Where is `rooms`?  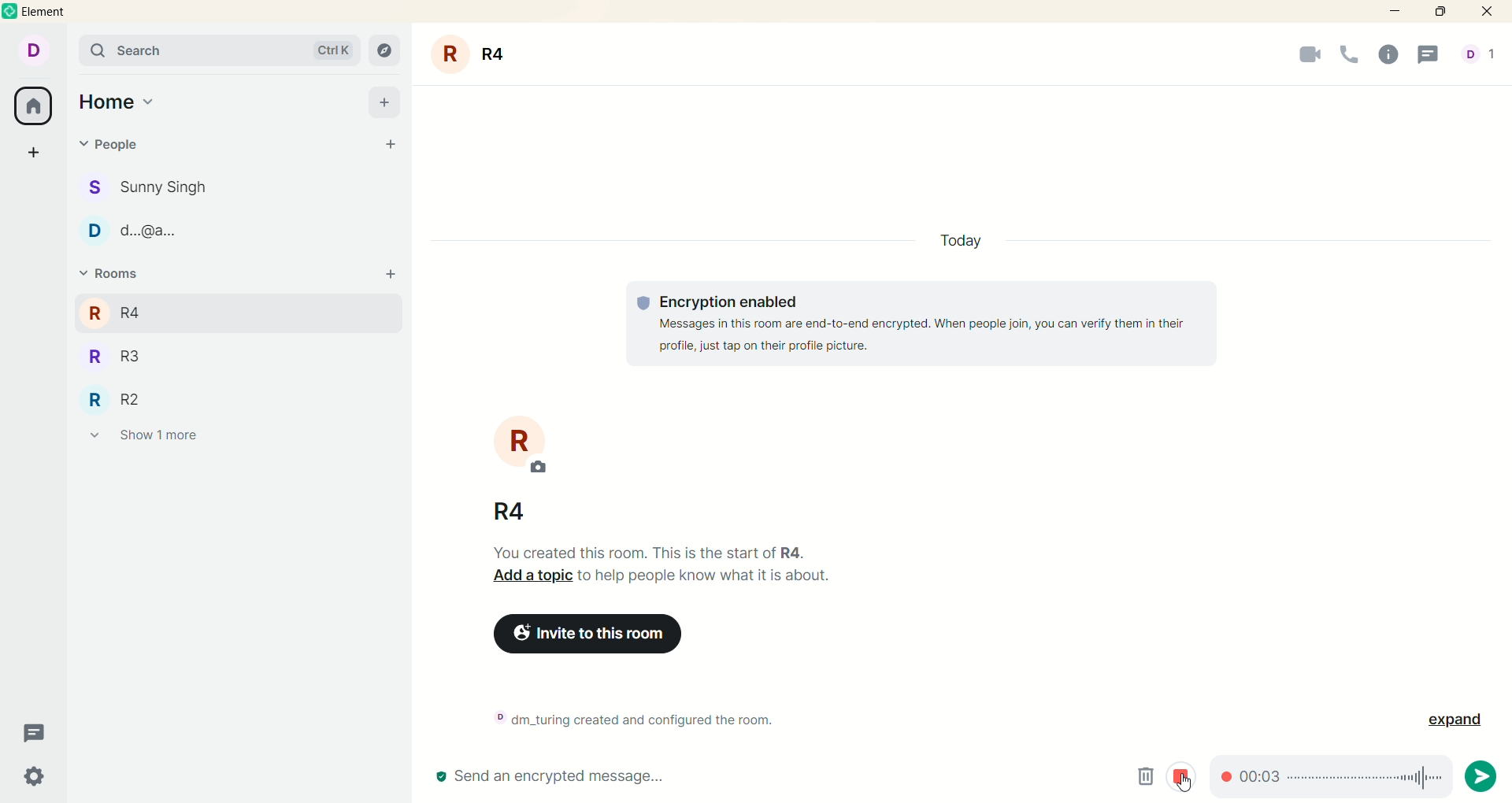
rooms is located at coordinates (108, 274).